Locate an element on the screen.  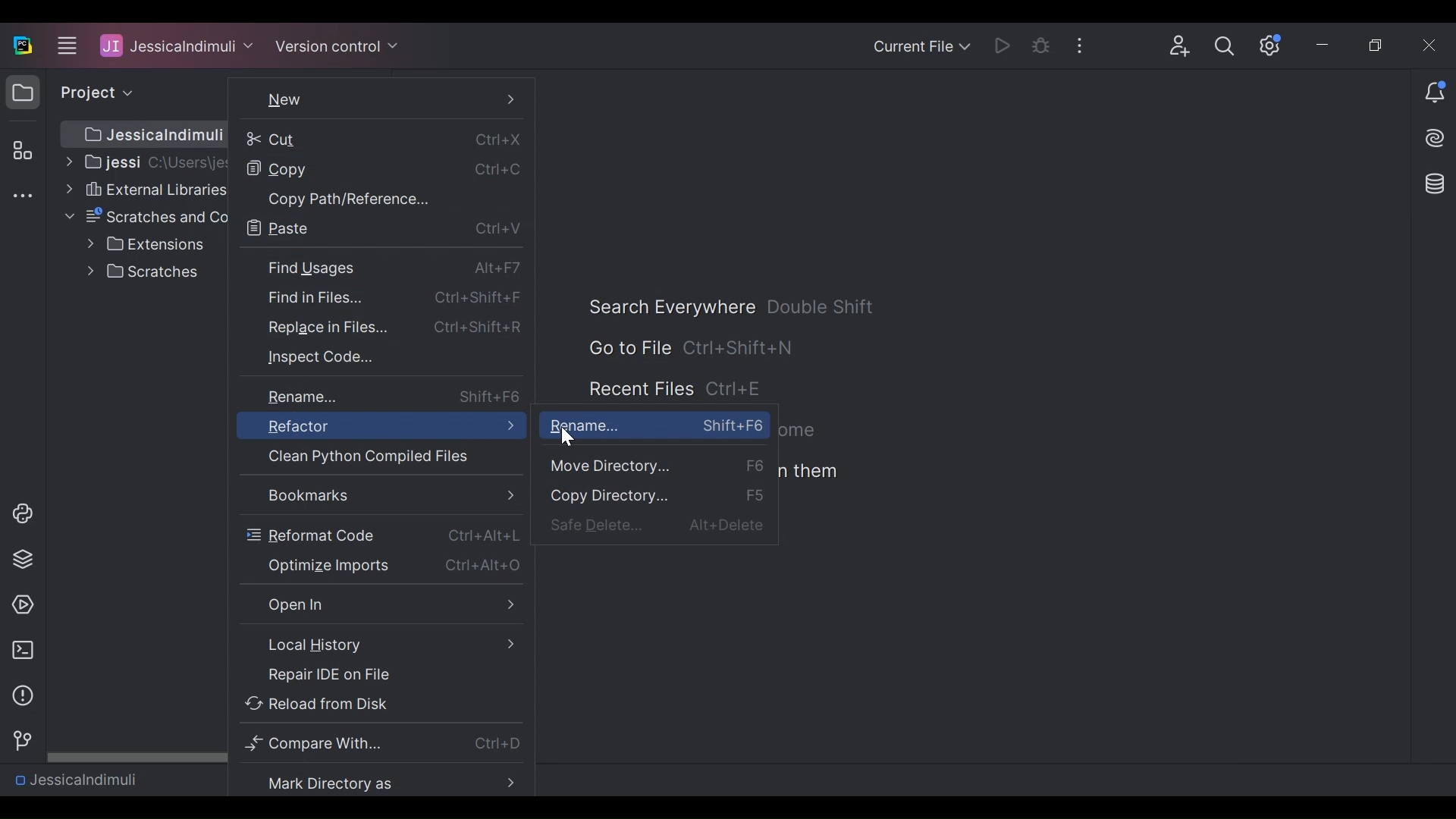
Find in Files is located at coordinates (381, 296).